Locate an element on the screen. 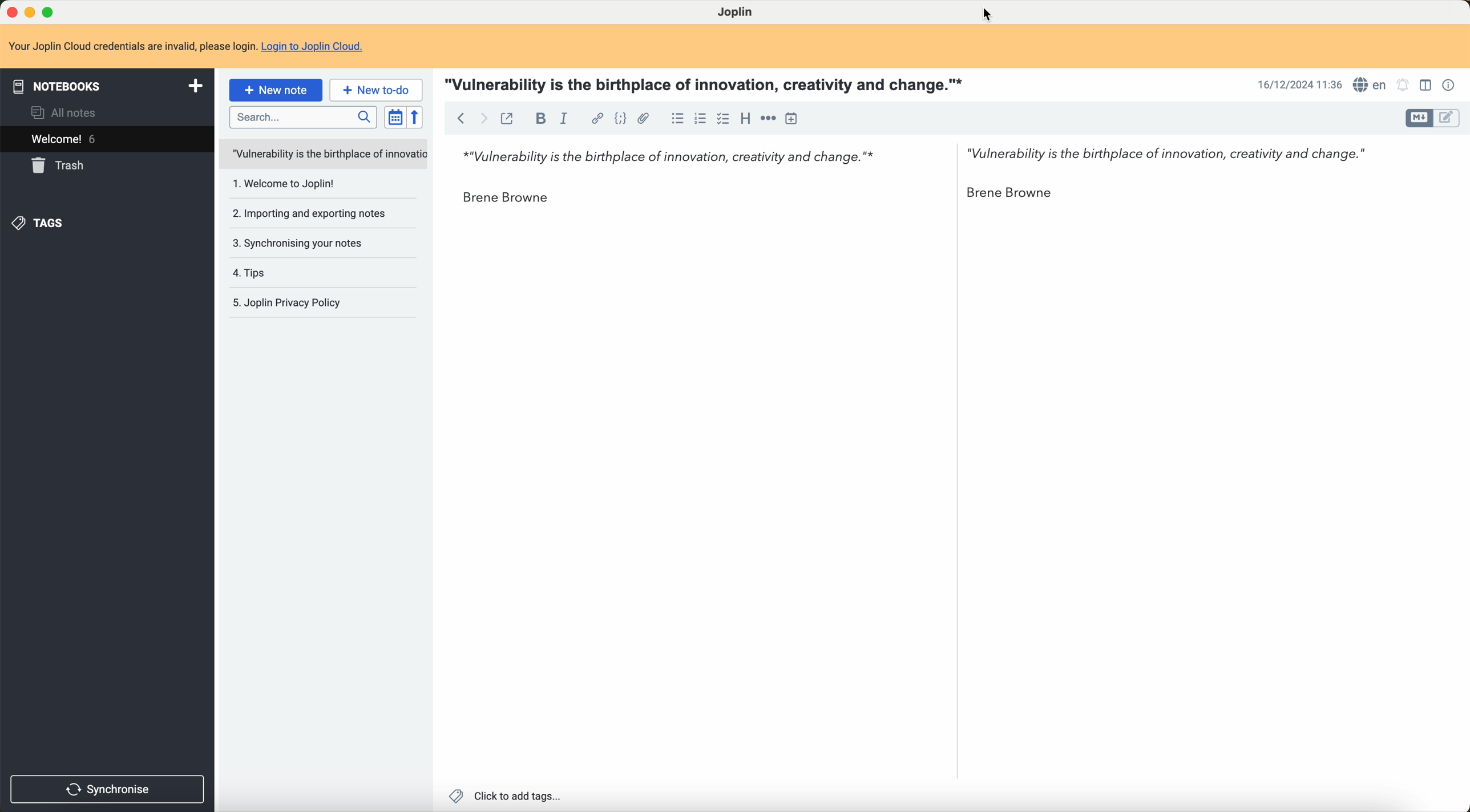  new note is located at coordinates (276, 91).